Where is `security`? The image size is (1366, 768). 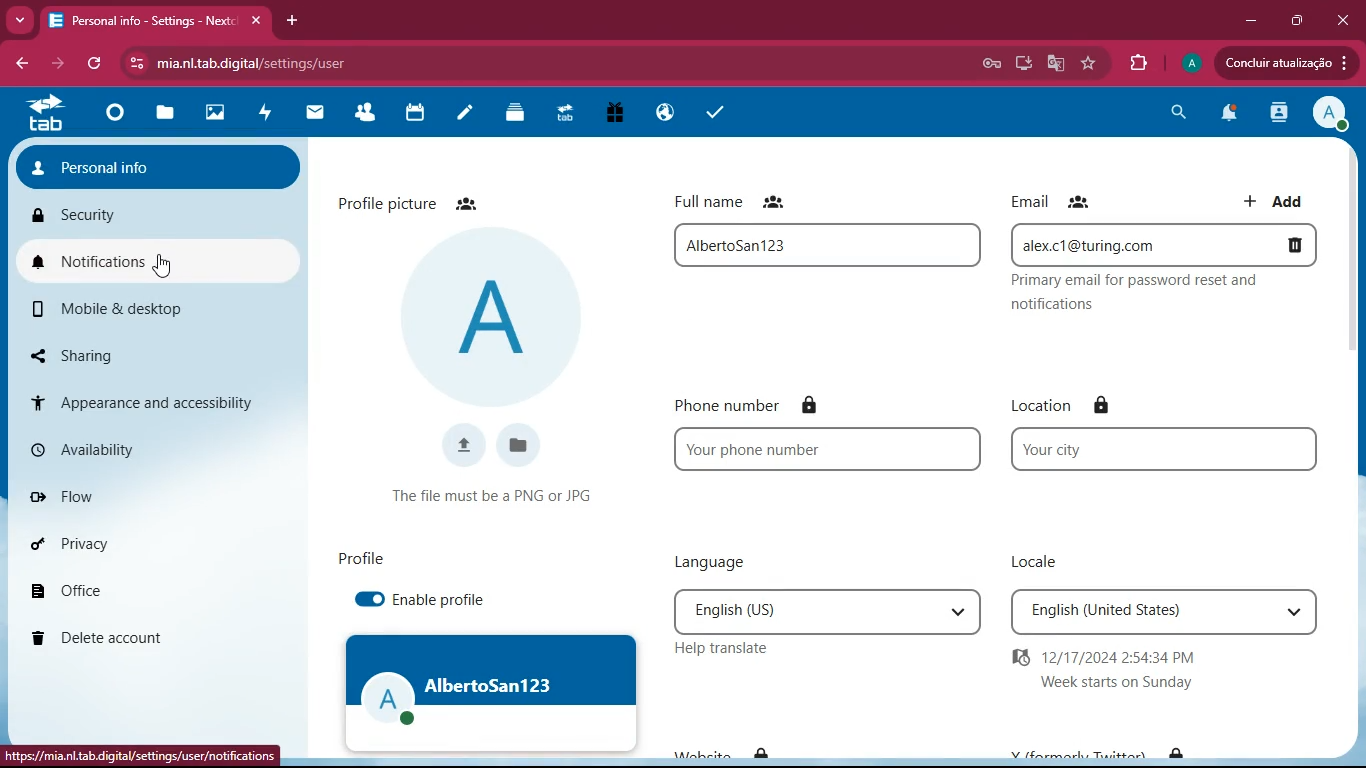
security is located at coordinates (160, 214).